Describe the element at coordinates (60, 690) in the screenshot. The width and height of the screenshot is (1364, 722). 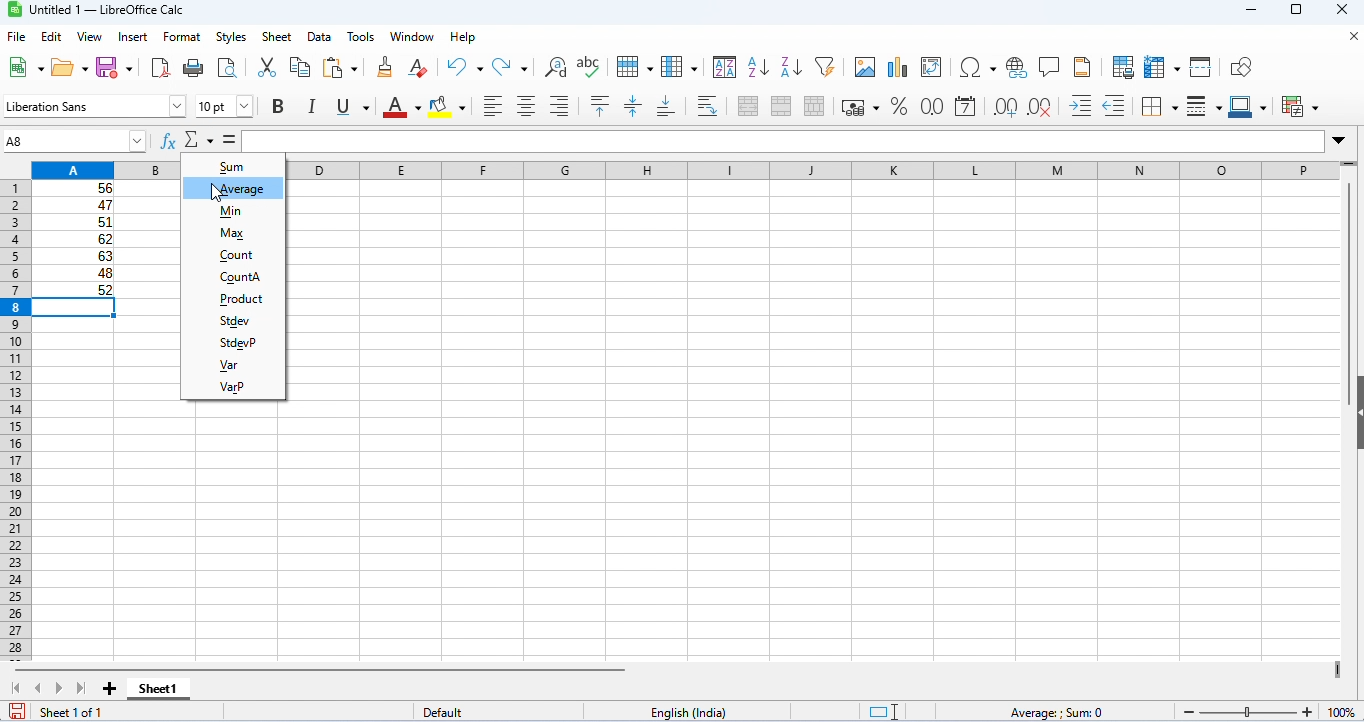
I see `next sheet` at that location.